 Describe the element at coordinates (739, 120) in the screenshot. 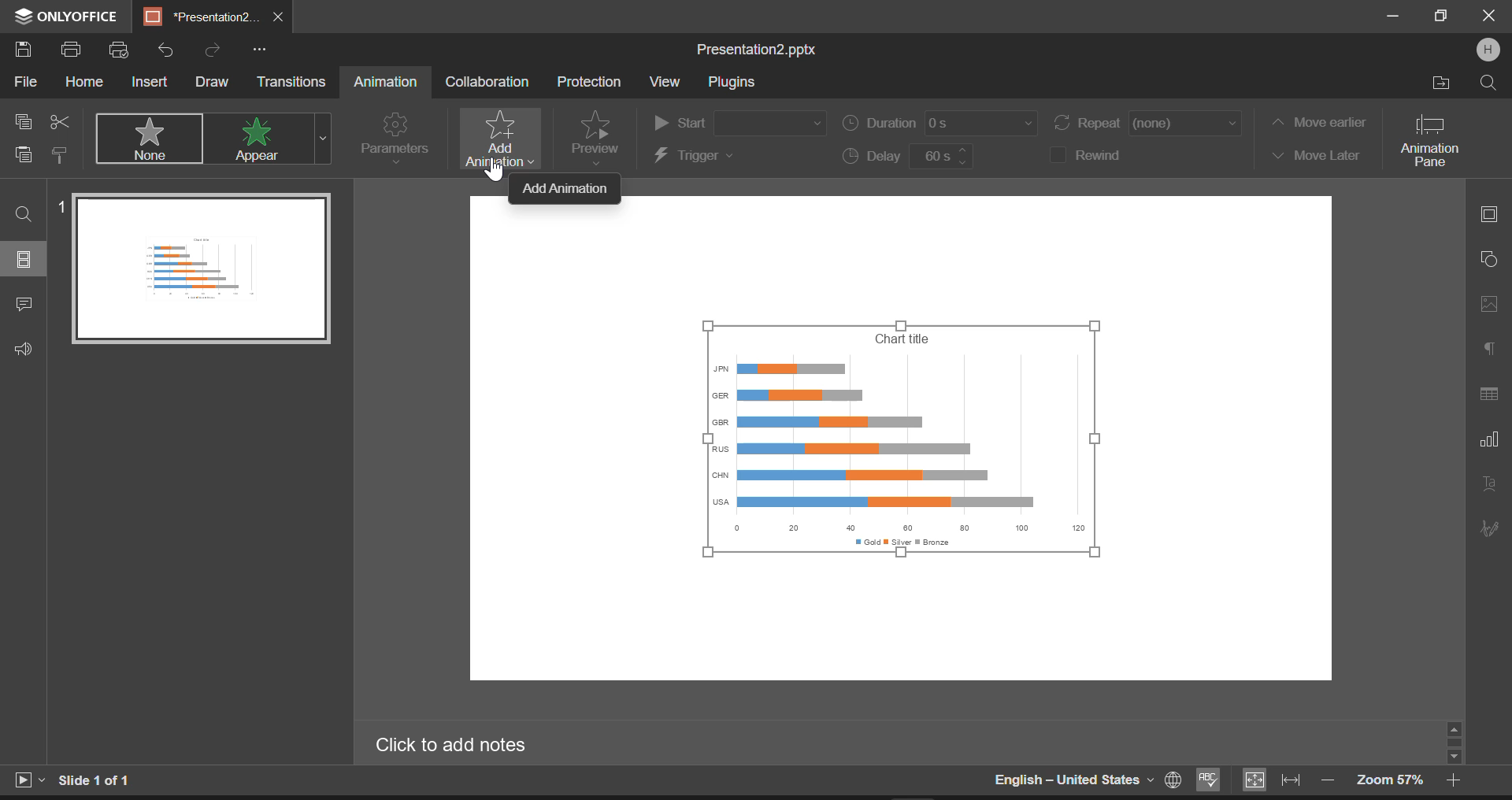

I see `Start point` at that location.